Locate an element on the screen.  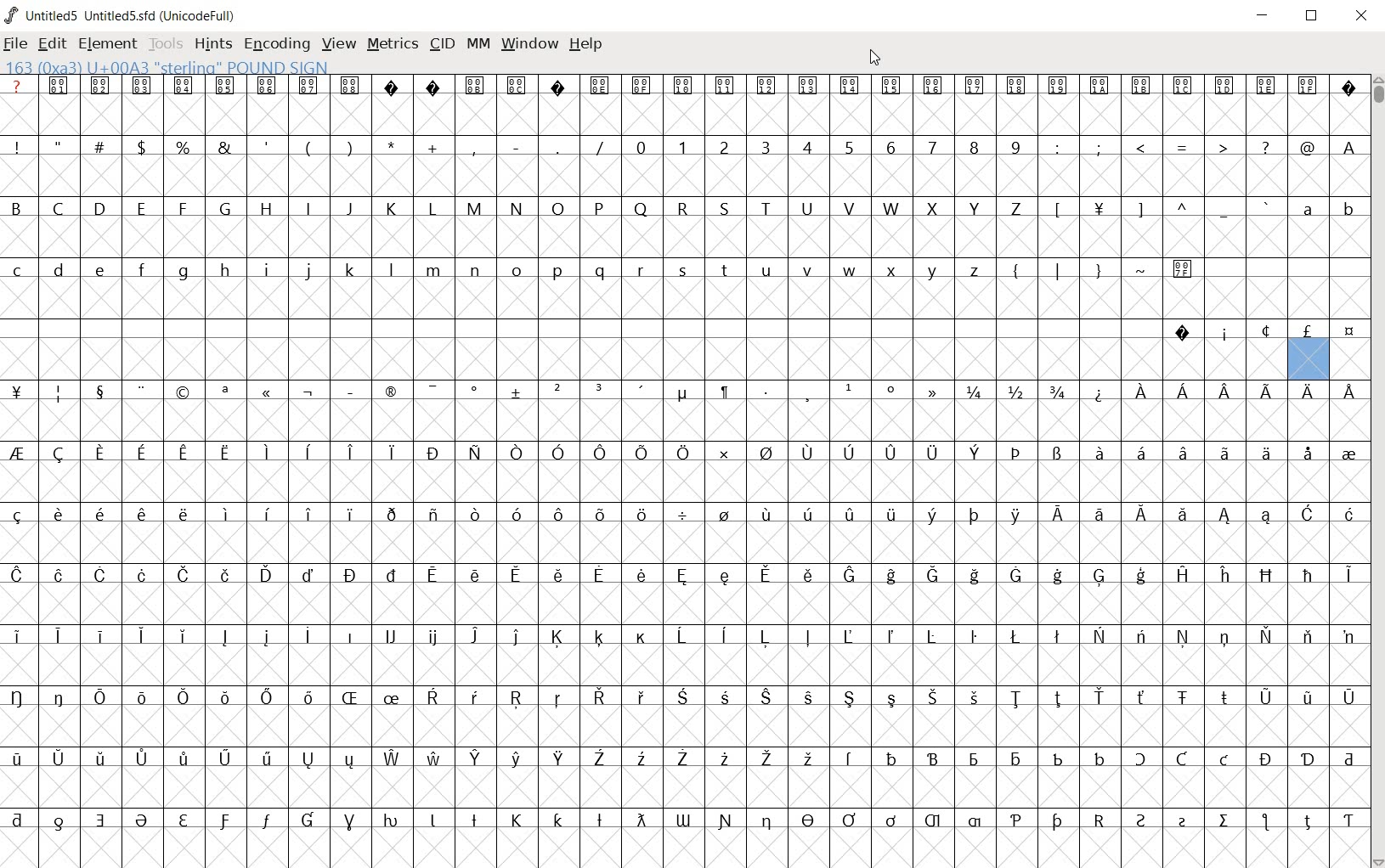
Symbol is located at coordinates (308, 392).